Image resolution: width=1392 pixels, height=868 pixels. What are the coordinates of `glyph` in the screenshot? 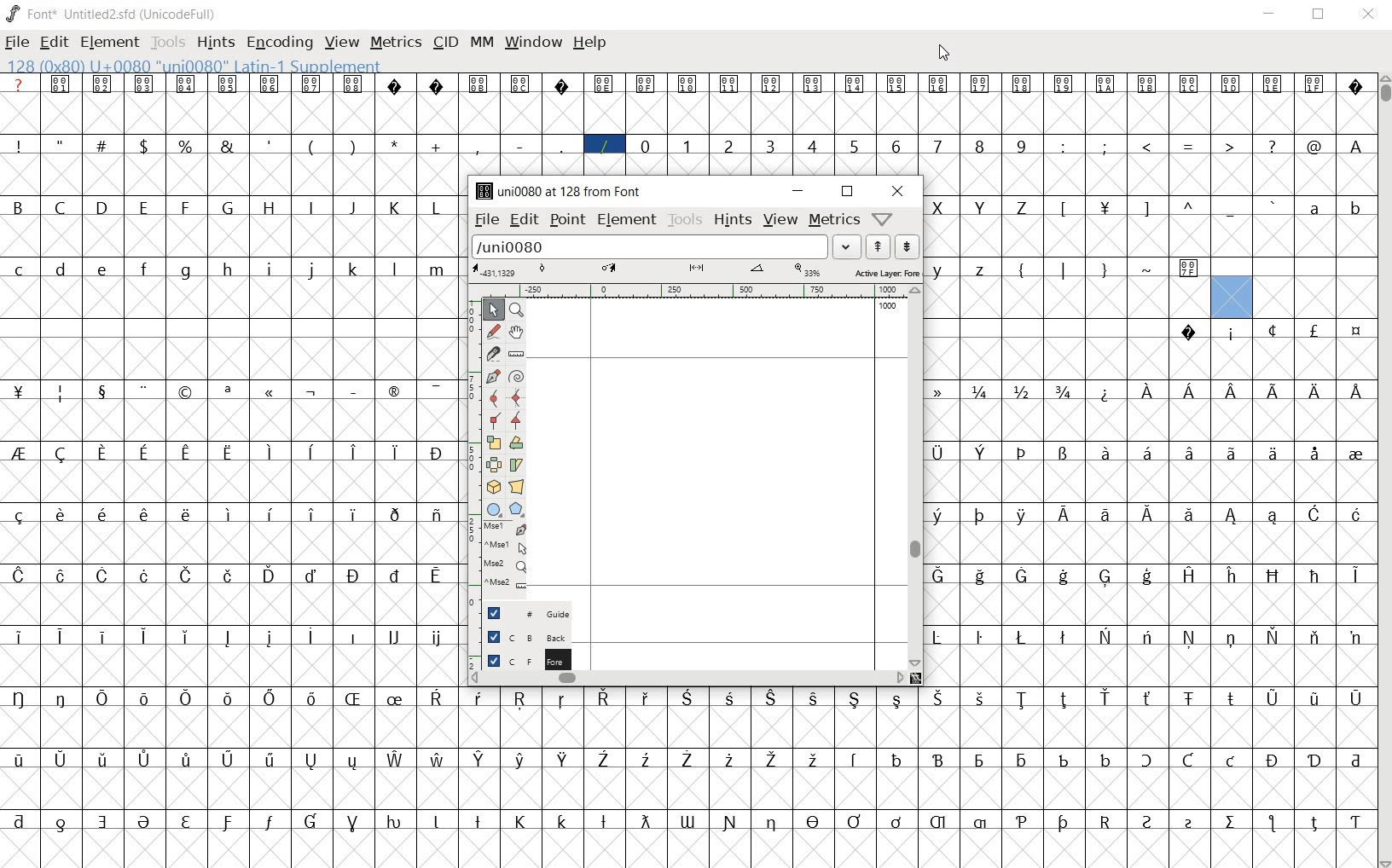 It's located at (270, 575).